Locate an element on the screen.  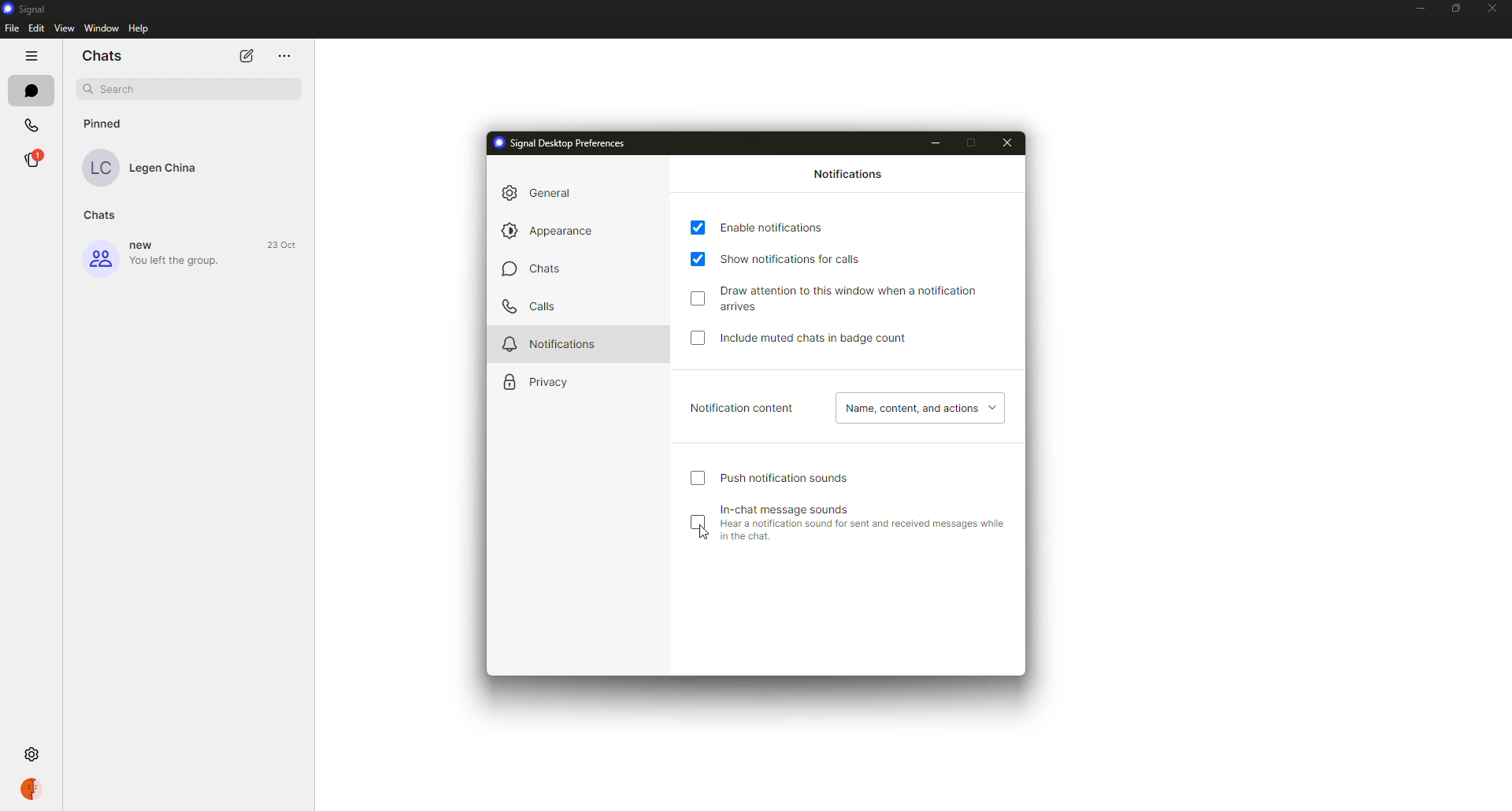
tap to select is located at coordinates (697, 260).